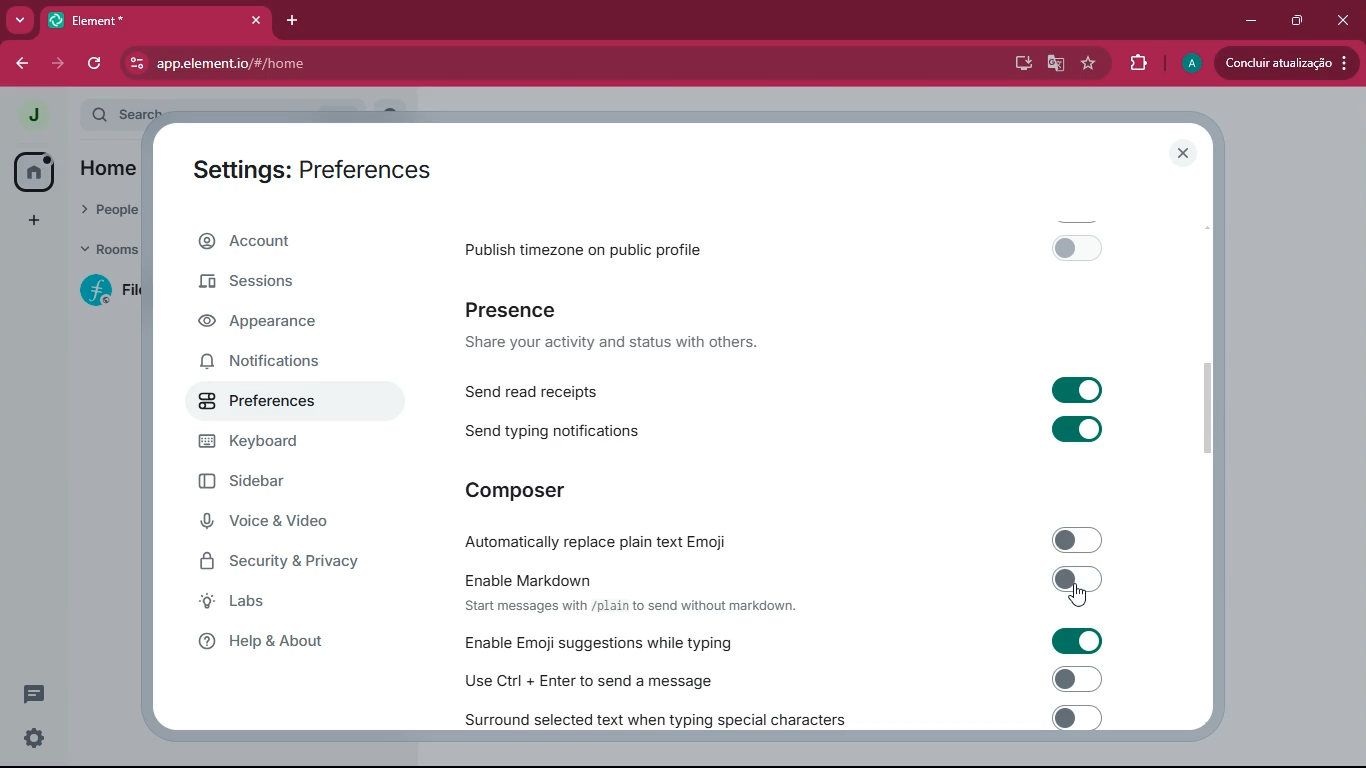  Describe the element at coordinates (281, 642) in the screenshot. I see `help` at that location.